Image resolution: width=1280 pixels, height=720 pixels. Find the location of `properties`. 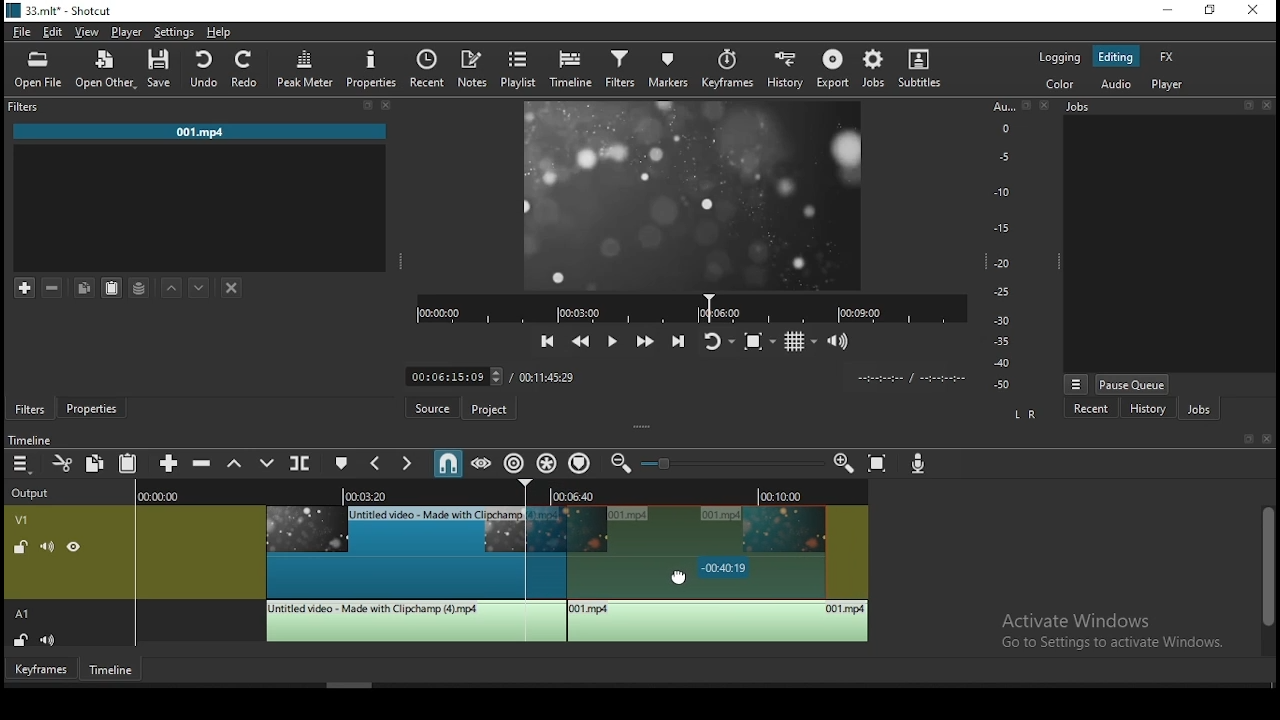

properties is located at coordinates (95, 407).